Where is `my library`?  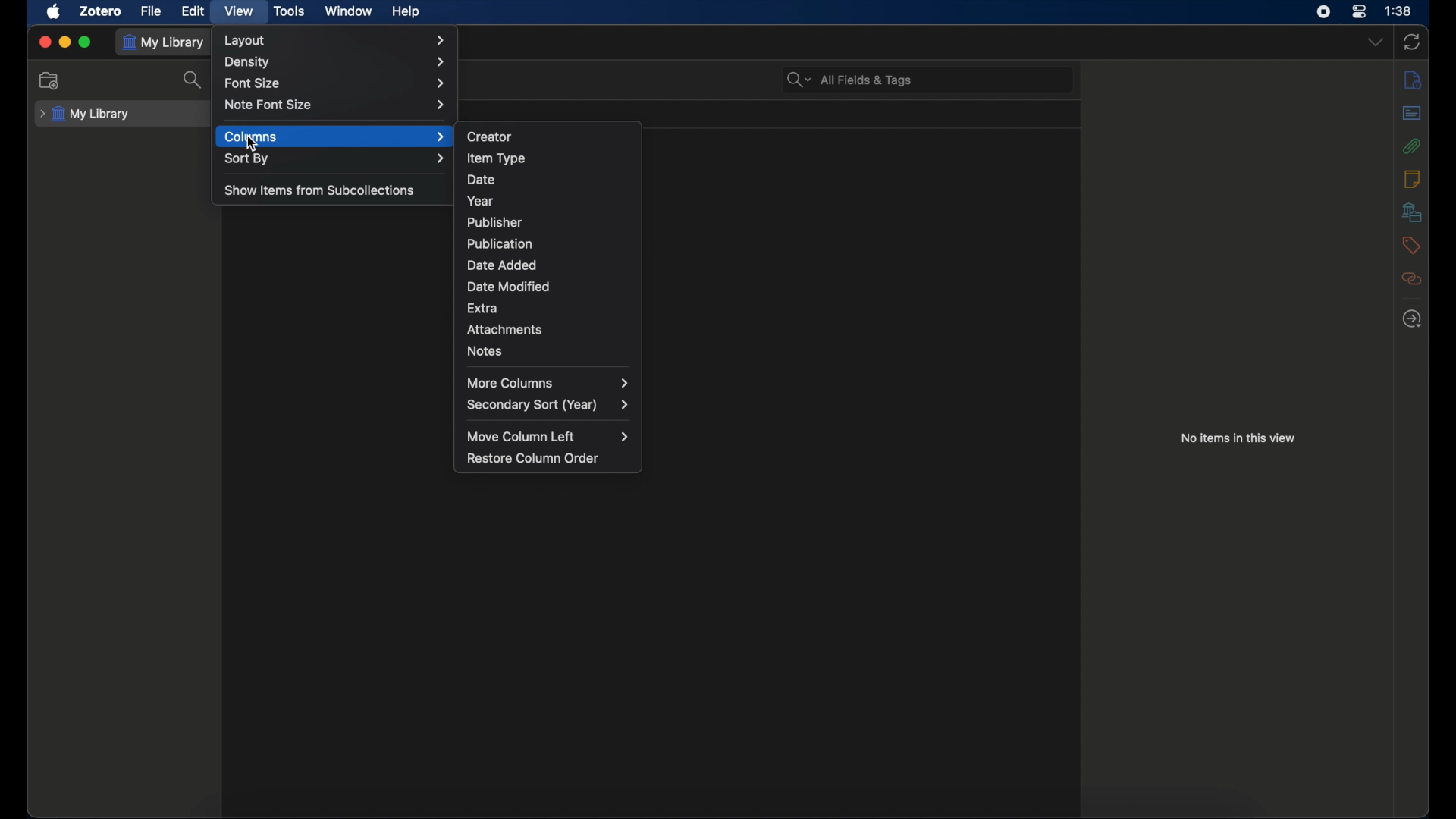 my library is located at coordinates (86, 114).